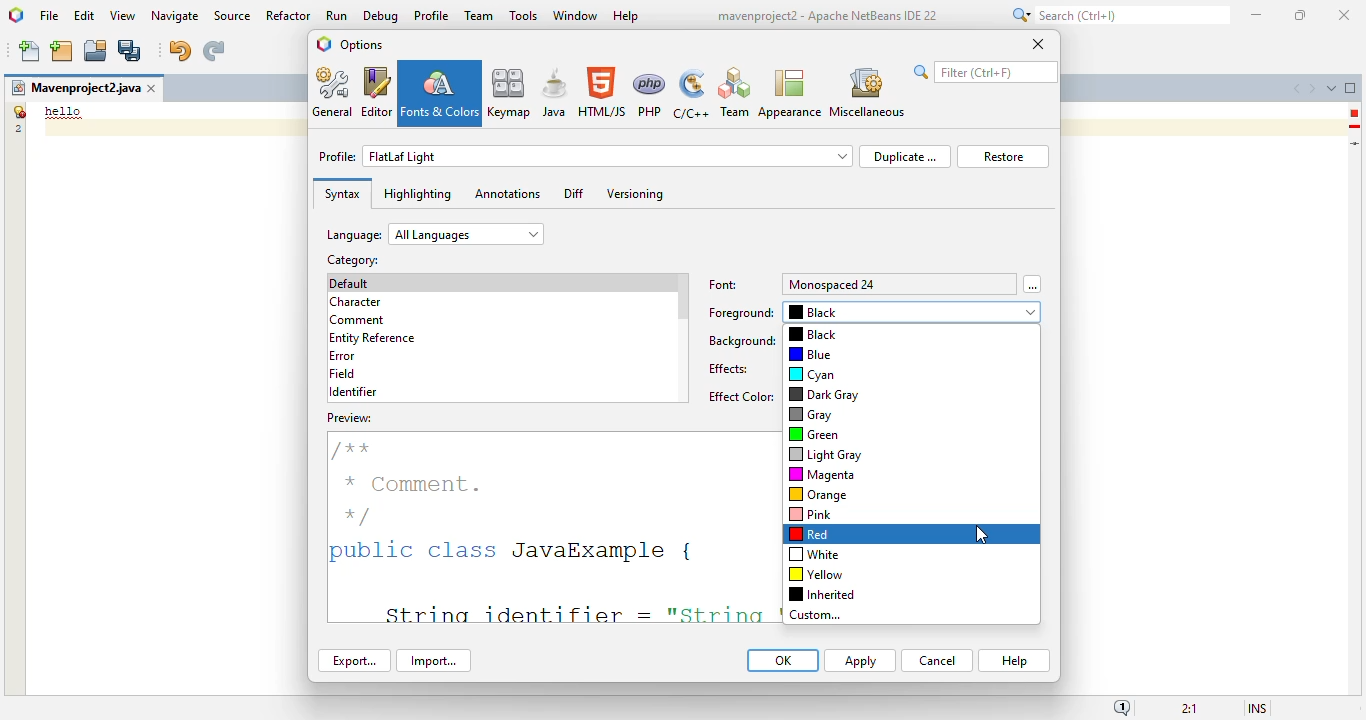 The image size is (1366, 720). What do you see at coordinates (742, 313) in the screenshot?
I see `foreground: ` at bounding box center [742, 313].